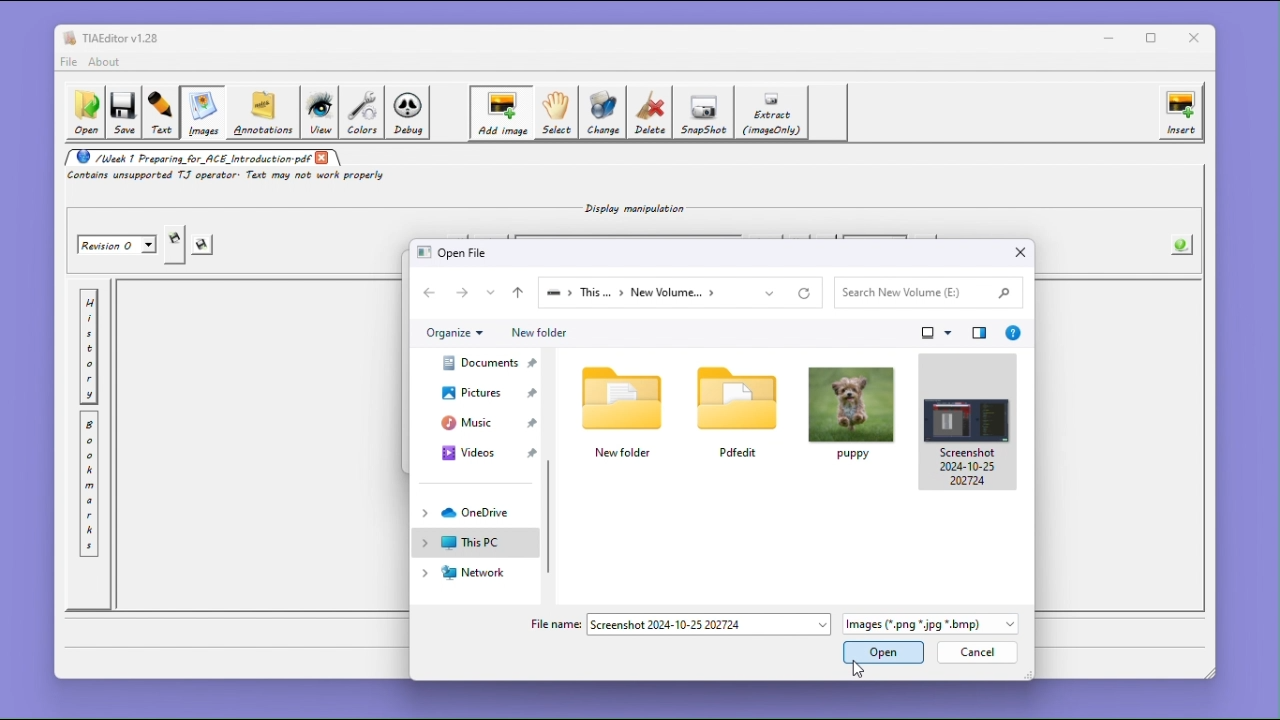  What do you see at coordinates (188, 157) in the screenshot?
I see `/Week 1 Preparing_for_ACE_Introduction.pdf` at bounding box center [188, 157].